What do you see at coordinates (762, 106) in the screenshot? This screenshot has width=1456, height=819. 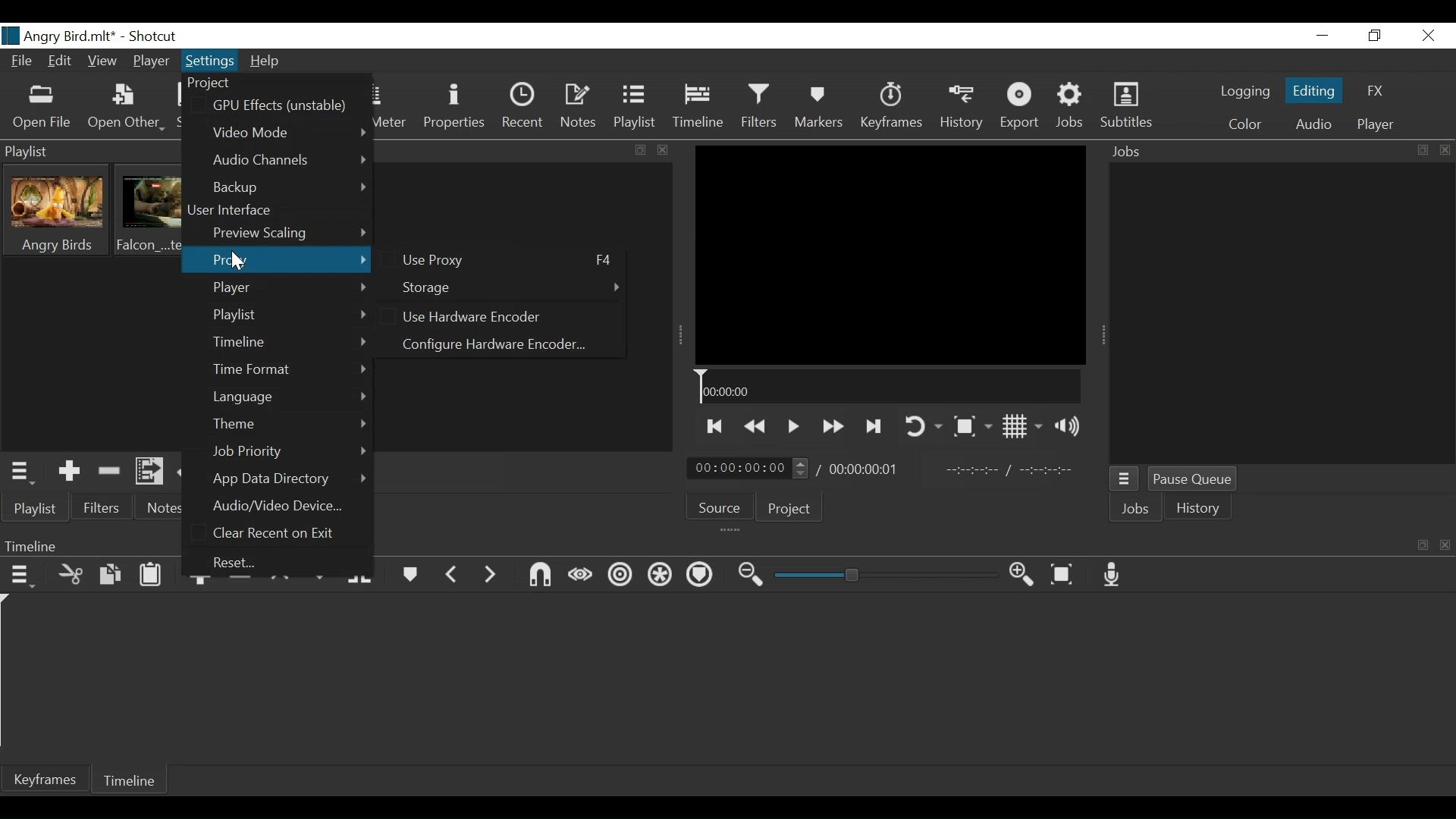 I see `Filters` at bounding box center [762, 106].